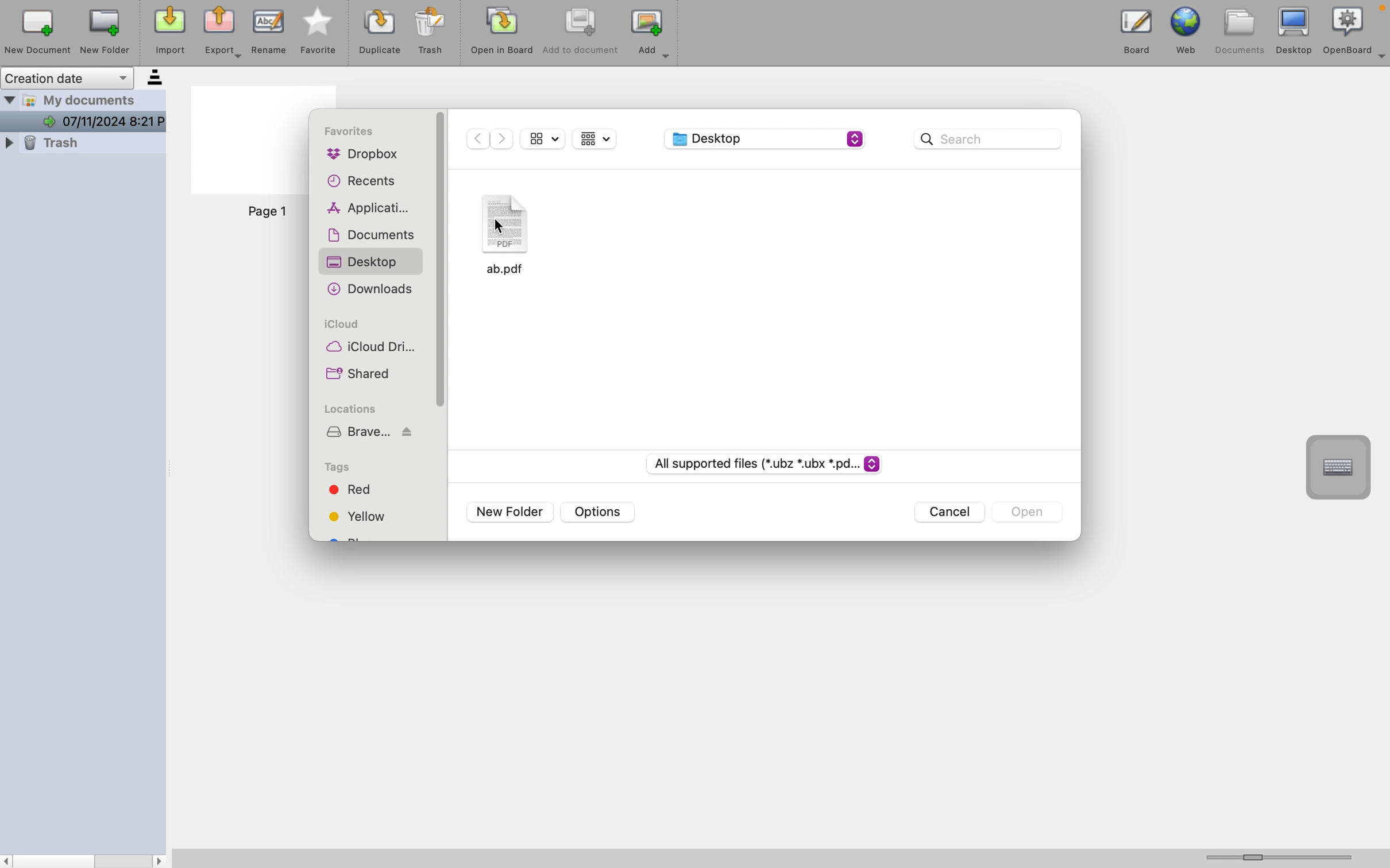  What do you see at coordinates (516, 235) in the screenshot?
I see `document` at bounding box center [516, 235].